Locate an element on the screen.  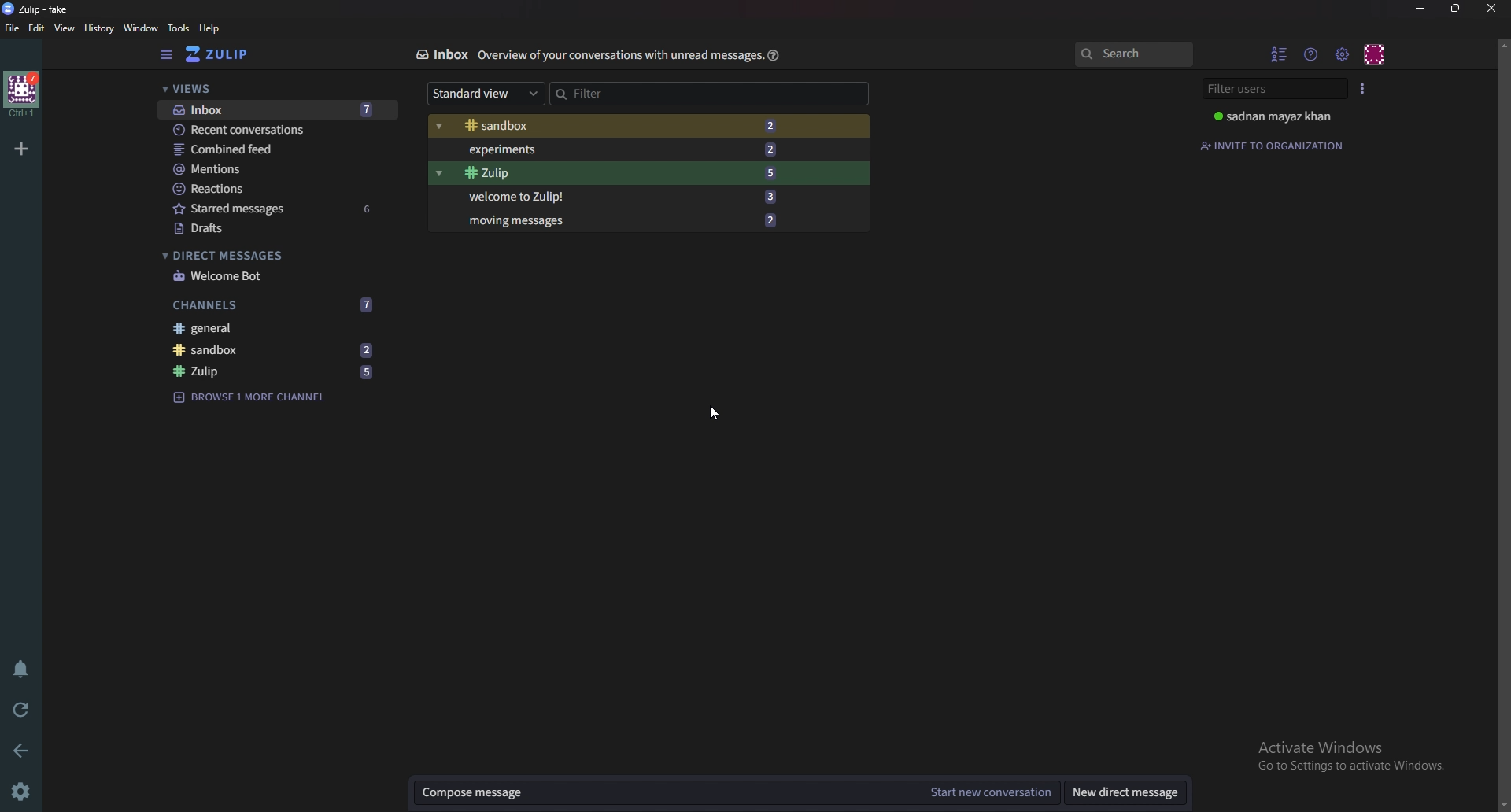
Direct messages is located at coordinates (268, 256).